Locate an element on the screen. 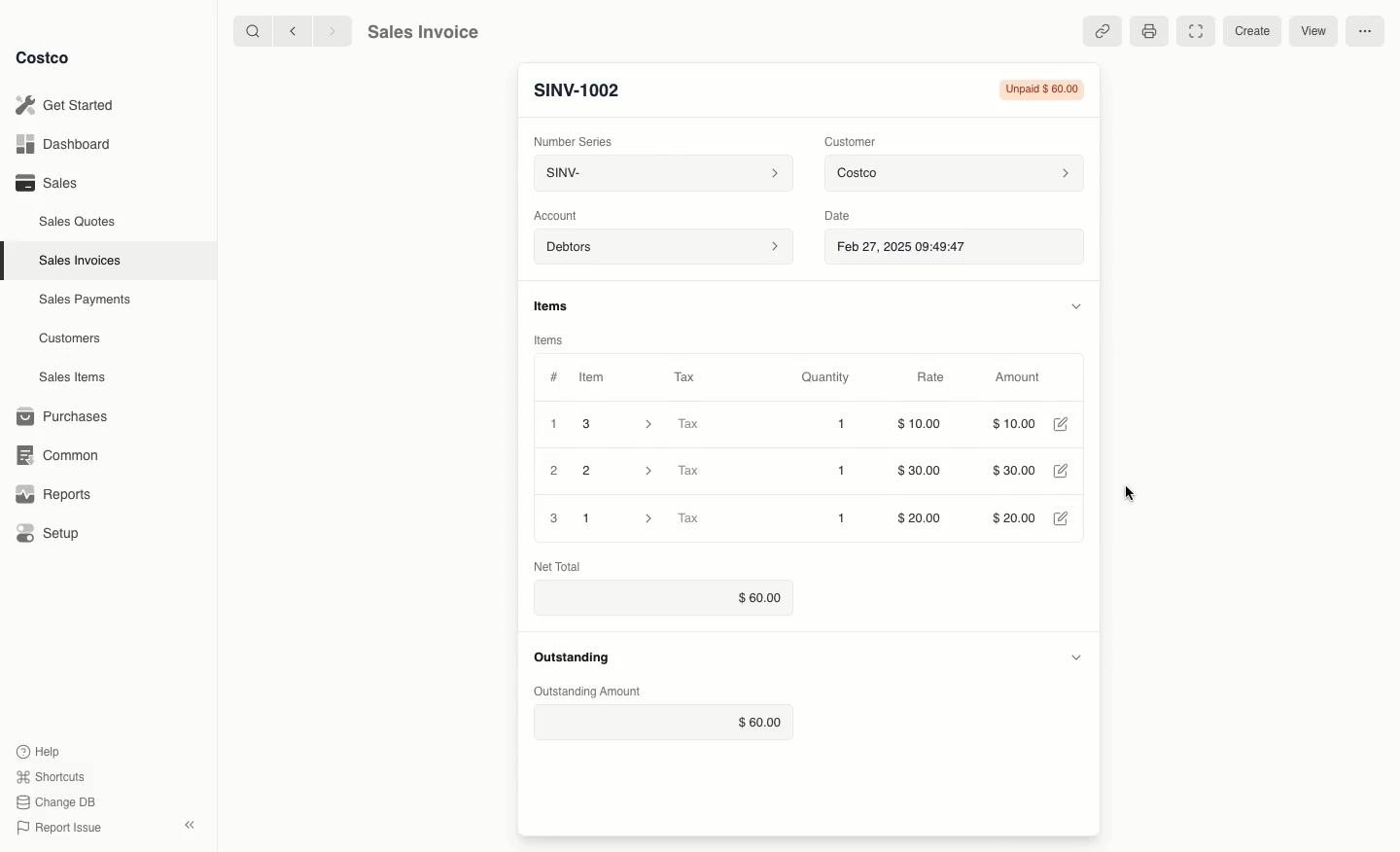  Reports is located at coordinates (51, 494).